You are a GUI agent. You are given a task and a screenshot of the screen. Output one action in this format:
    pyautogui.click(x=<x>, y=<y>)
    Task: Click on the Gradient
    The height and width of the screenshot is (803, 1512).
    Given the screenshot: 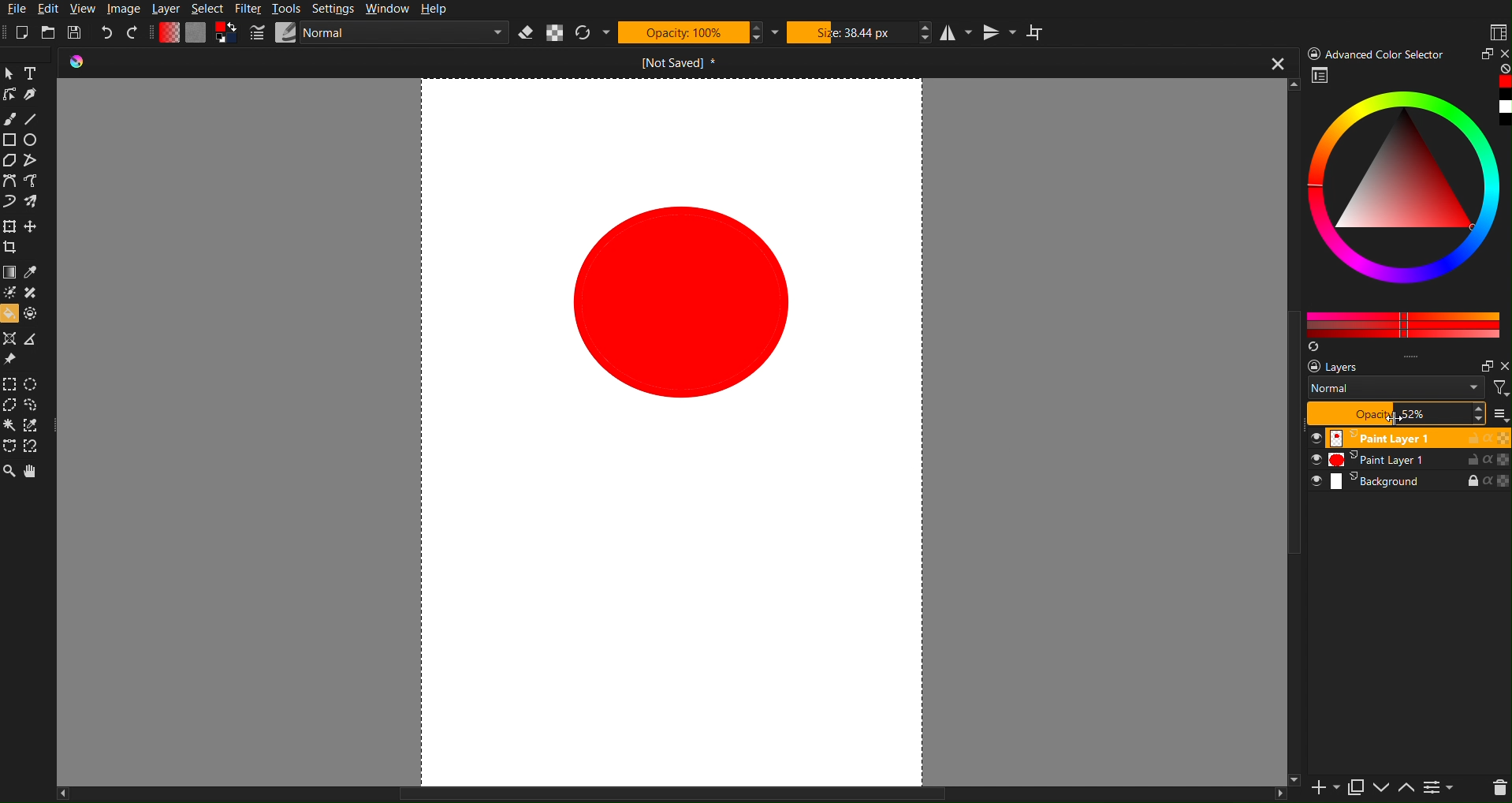 What is the action you would take?
    pyautogui.click(x=168, y=33)
    